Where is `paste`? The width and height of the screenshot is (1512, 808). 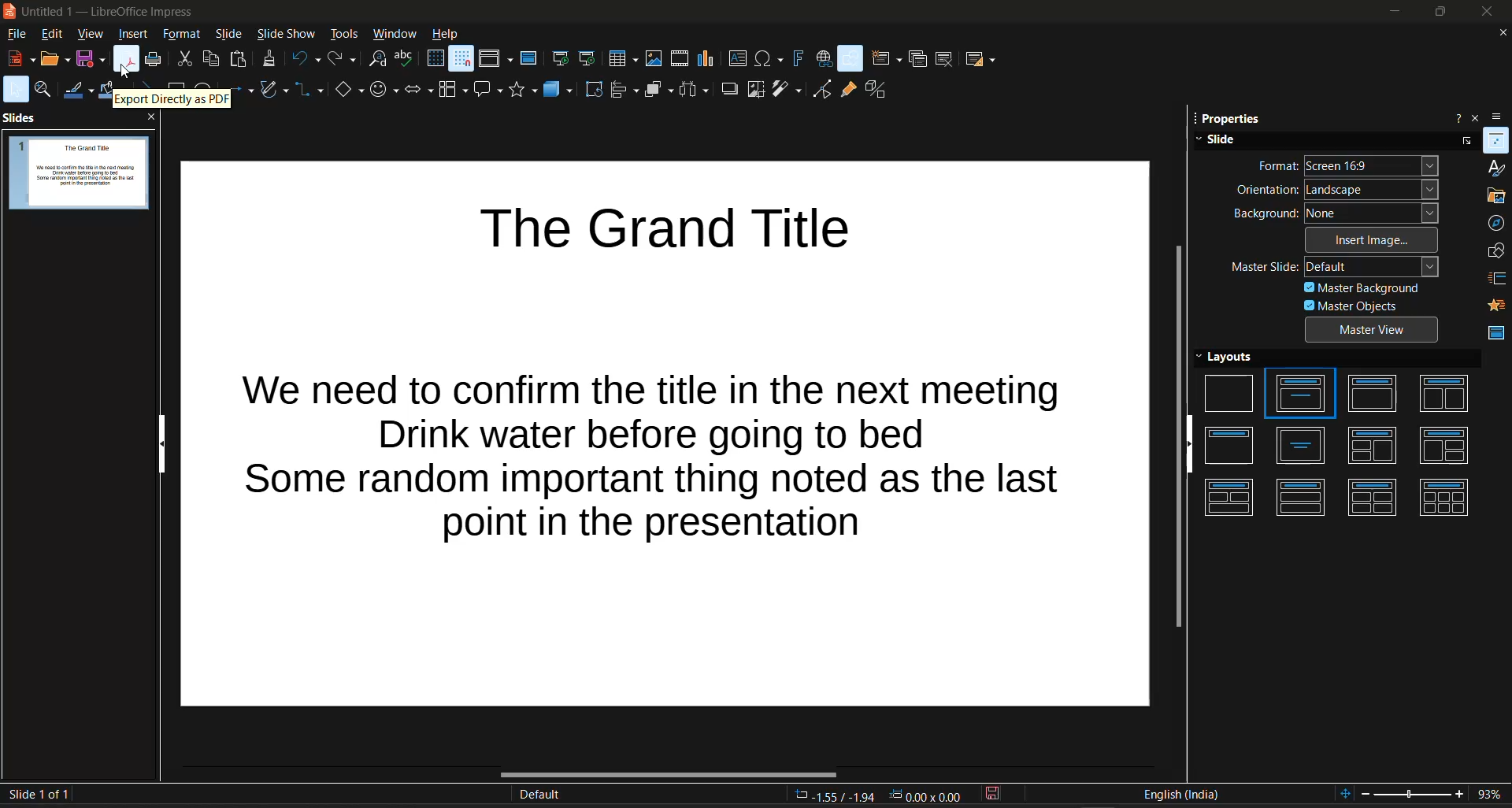
paste is located at coordinates (235, 59).